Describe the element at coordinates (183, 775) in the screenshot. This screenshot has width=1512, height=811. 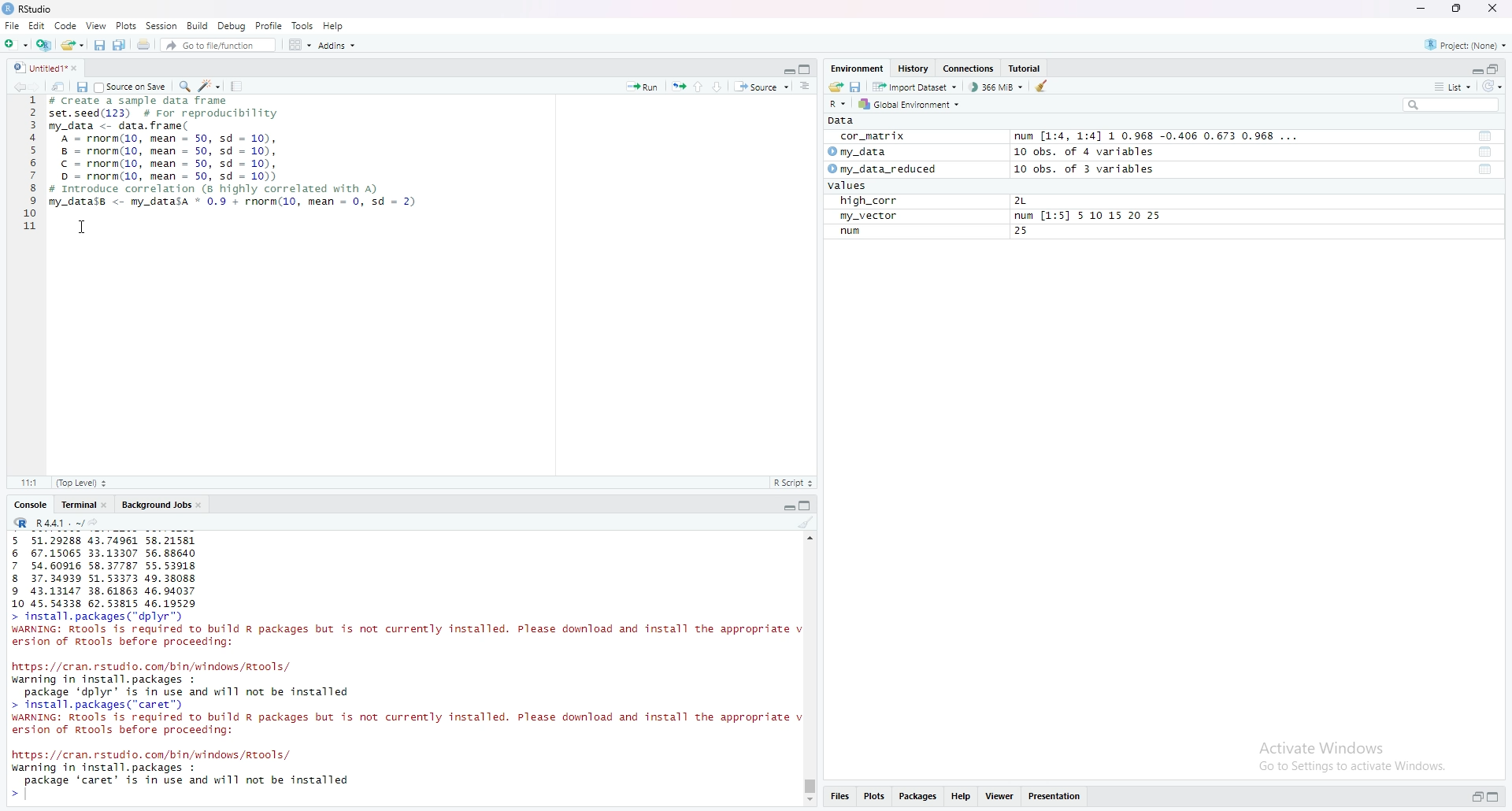
I see `https: //cran. rstudio. com/bin/windows/Rtools/
warning in install. packages :
package ‘caret’ is in use and will not be installed` at that location.